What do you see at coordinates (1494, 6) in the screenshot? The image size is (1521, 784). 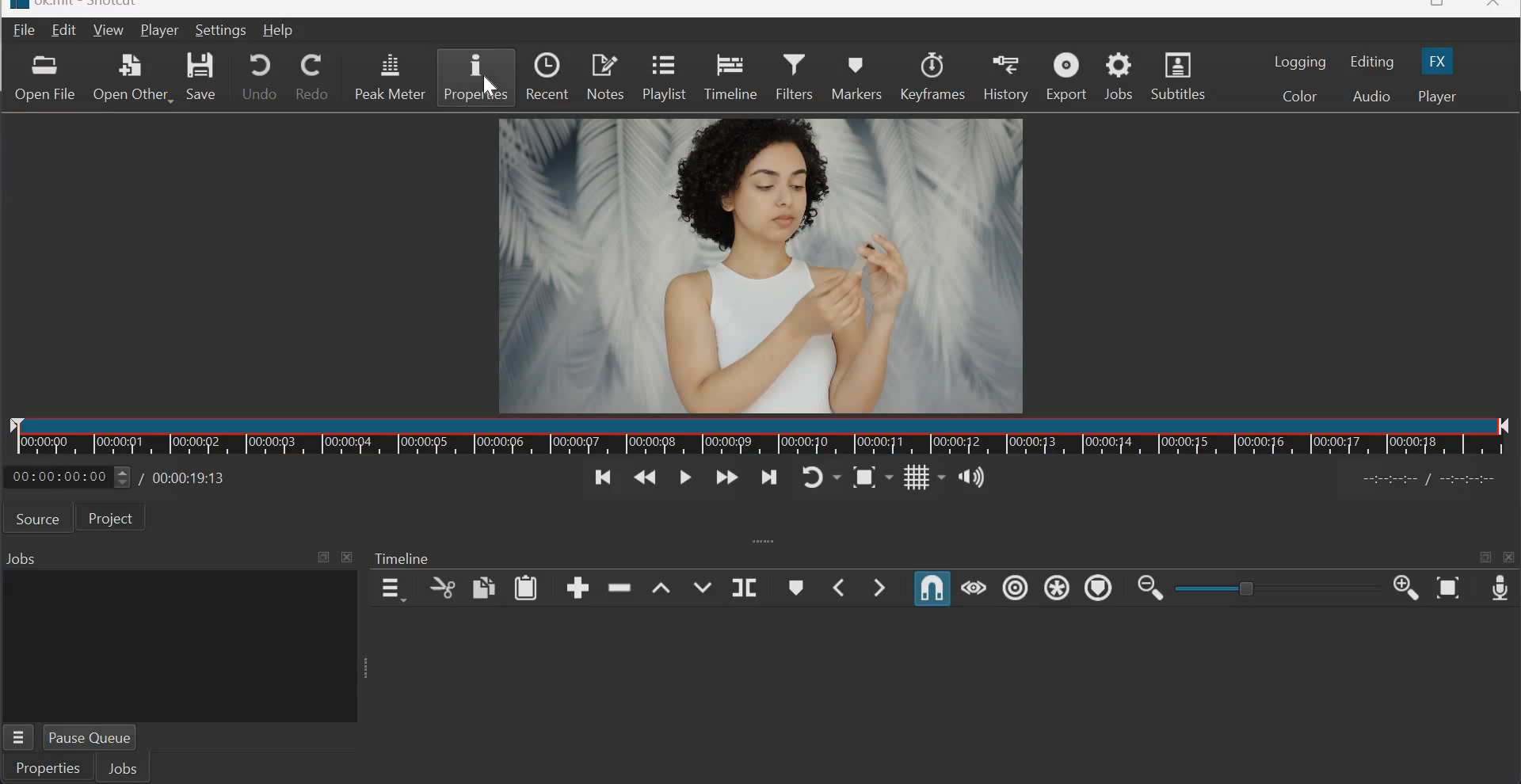 I see `close` at bounding box center [1494, 6].